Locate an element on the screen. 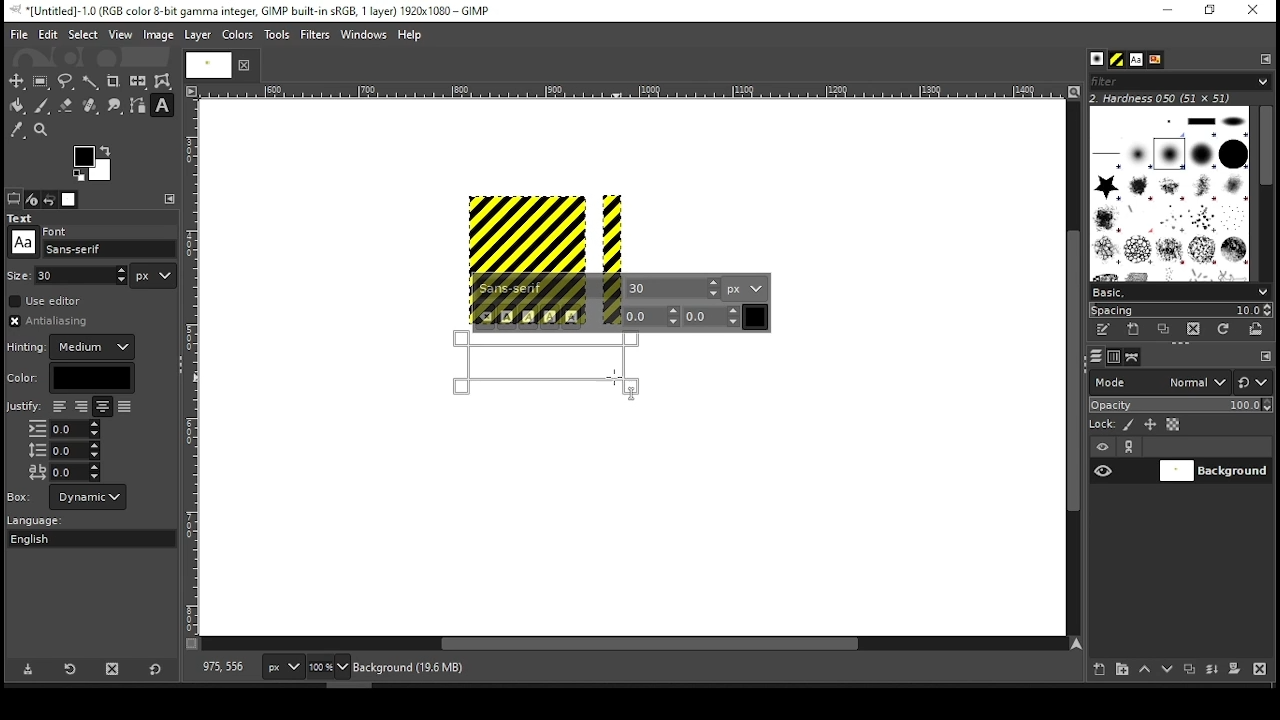 The width and height of the screenshot is (1280, 720). select is located at coordinates (82, 33).